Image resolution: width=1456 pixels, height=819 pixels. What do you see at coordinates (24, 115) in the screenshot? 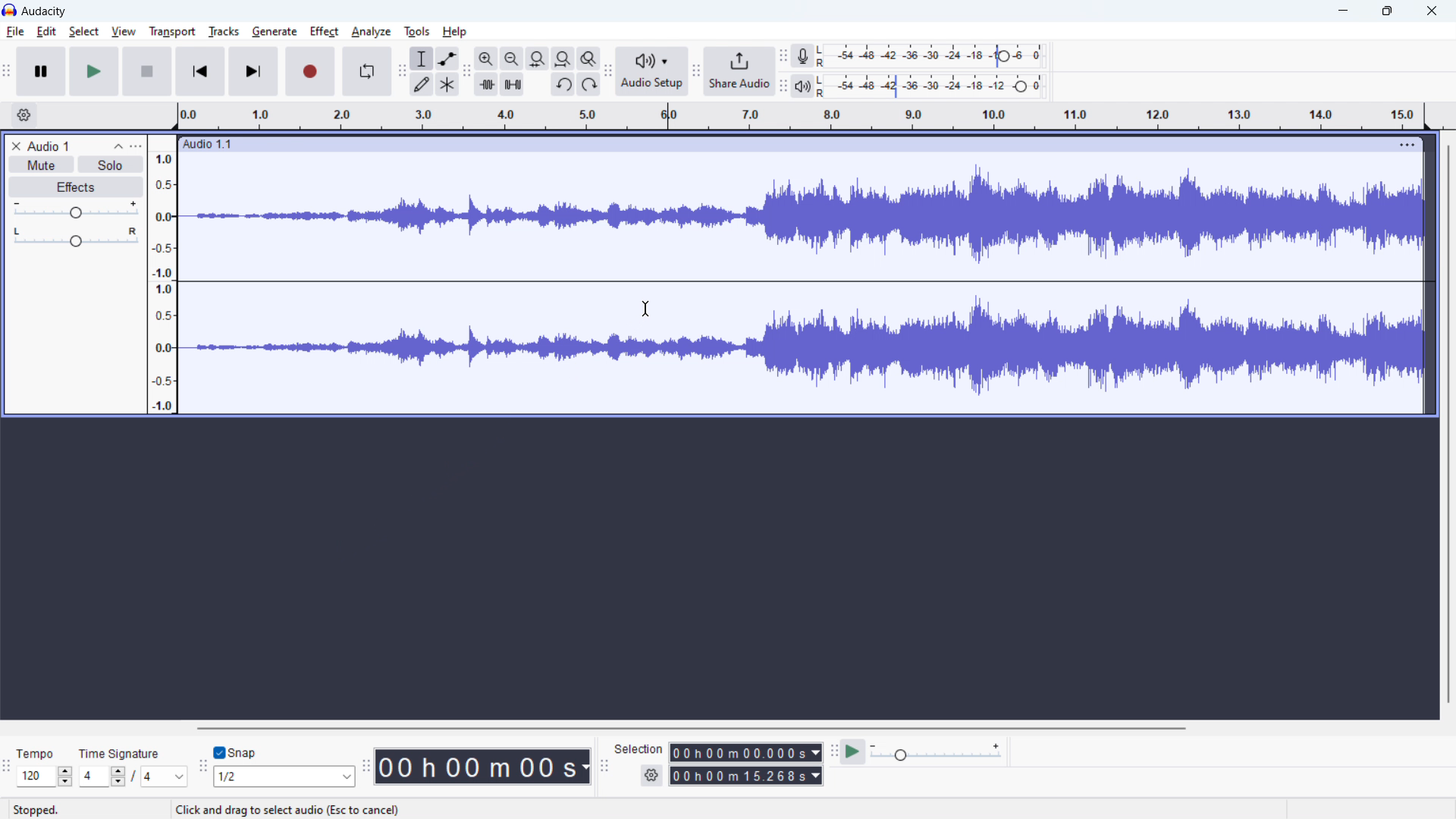
I see `timeline settings` at bounding box center [24, 115].